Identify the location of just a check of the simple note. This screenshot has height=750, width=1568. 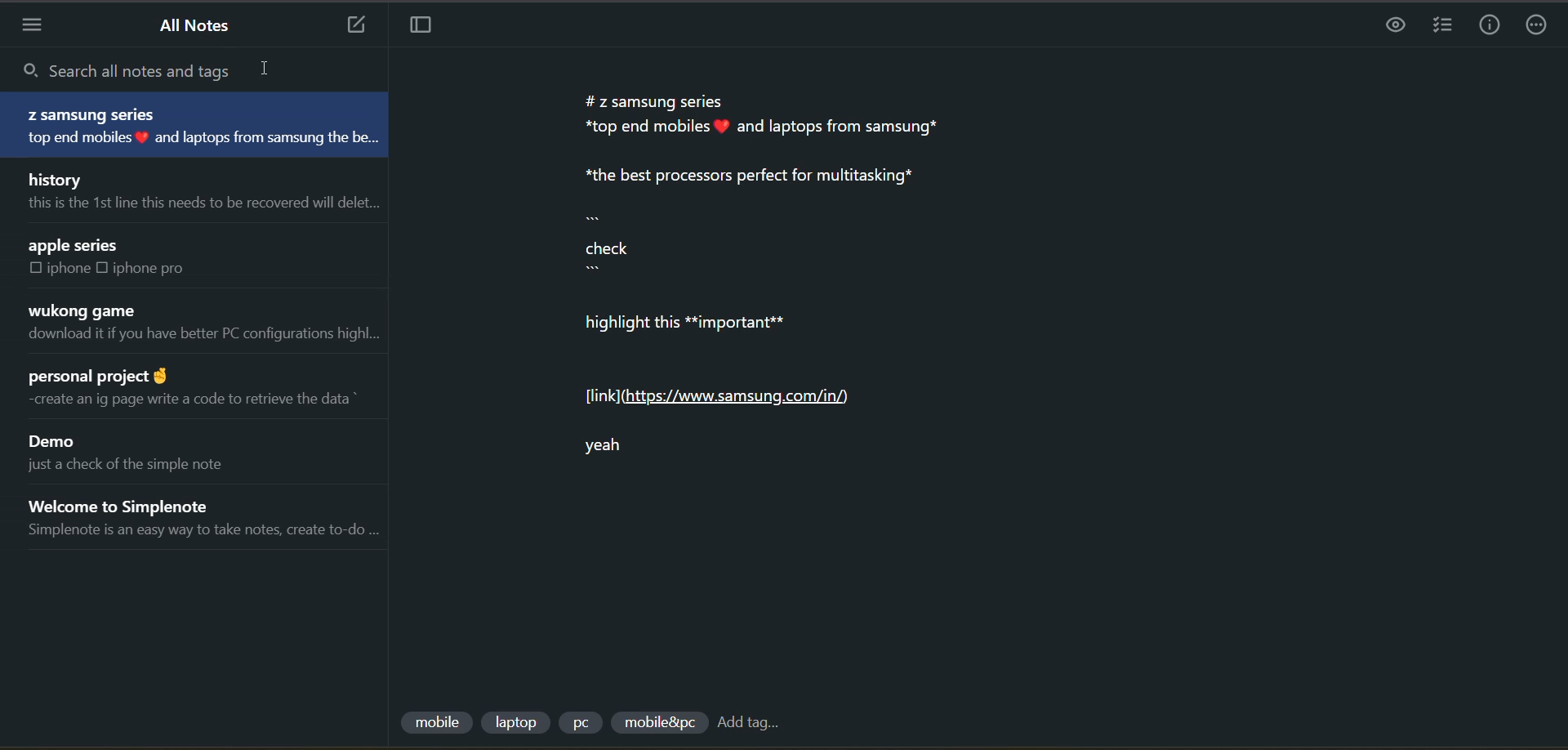
(126, 466).